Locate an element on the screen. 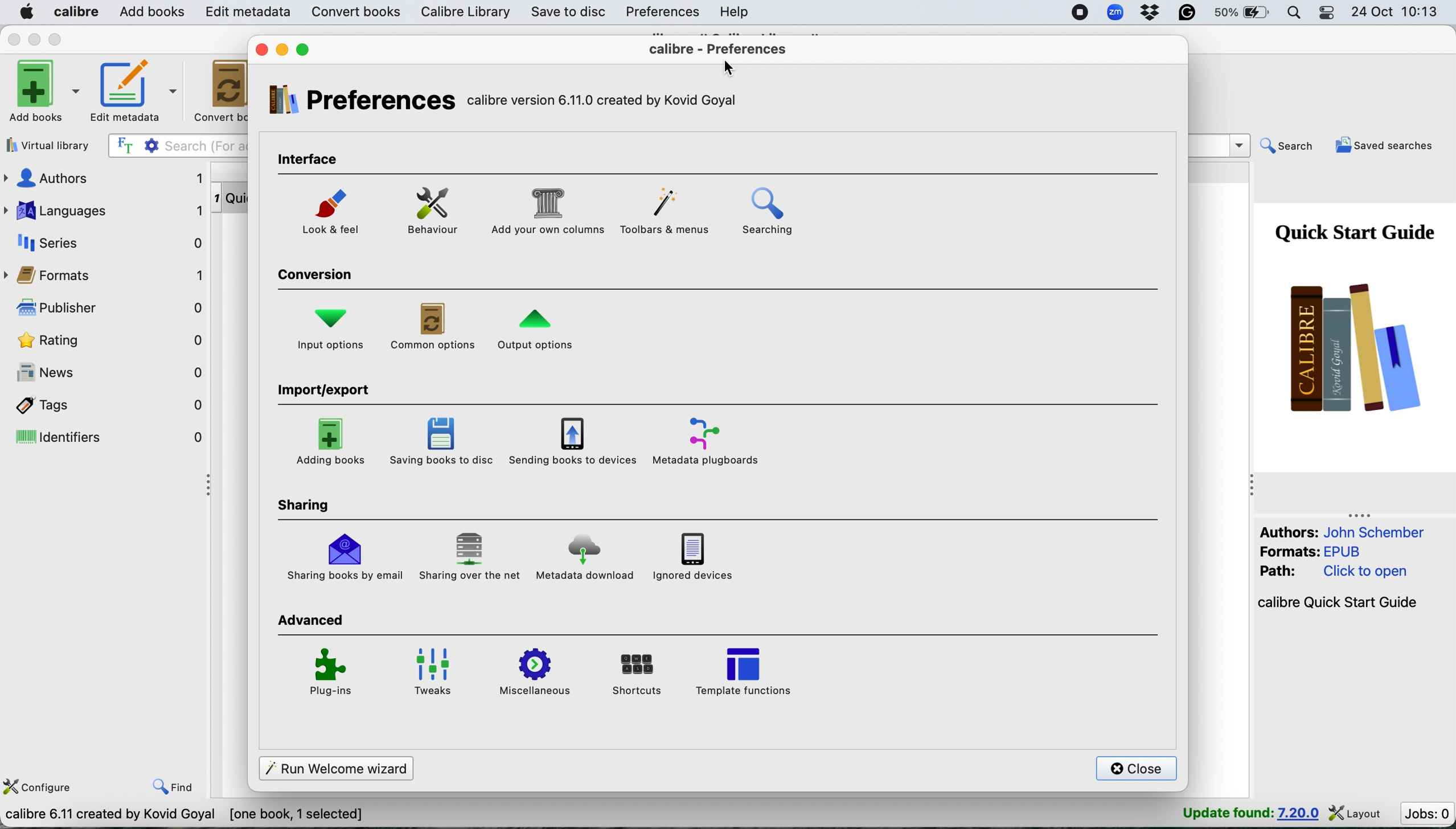 This screenshot has width=1456, height=829. saving books to disc is located at coordinates (437, 440).